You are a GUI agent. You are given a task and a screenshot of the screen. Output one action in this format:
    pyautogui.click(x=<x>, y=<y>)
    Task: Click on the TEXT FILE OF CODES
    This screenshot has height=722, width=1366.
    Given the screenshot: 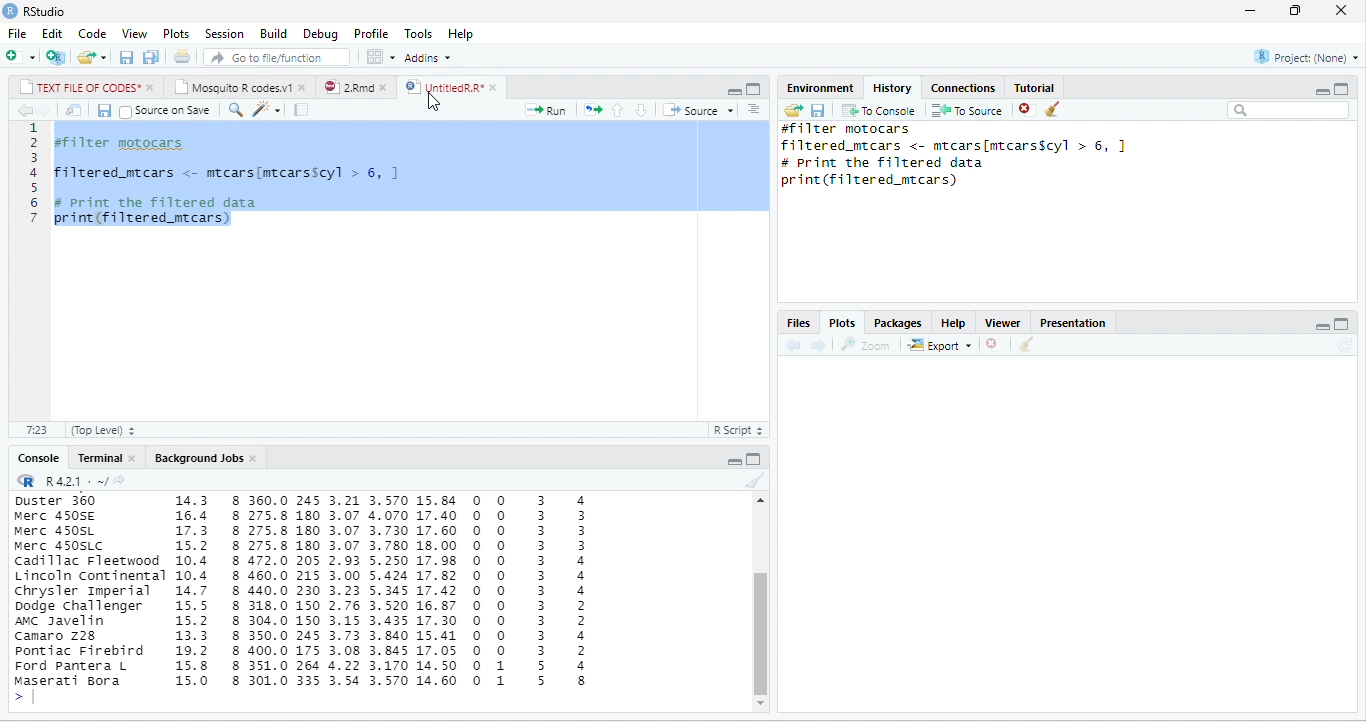 What is the action you would take?
    pyautogui.click(x=80, y=86)
    